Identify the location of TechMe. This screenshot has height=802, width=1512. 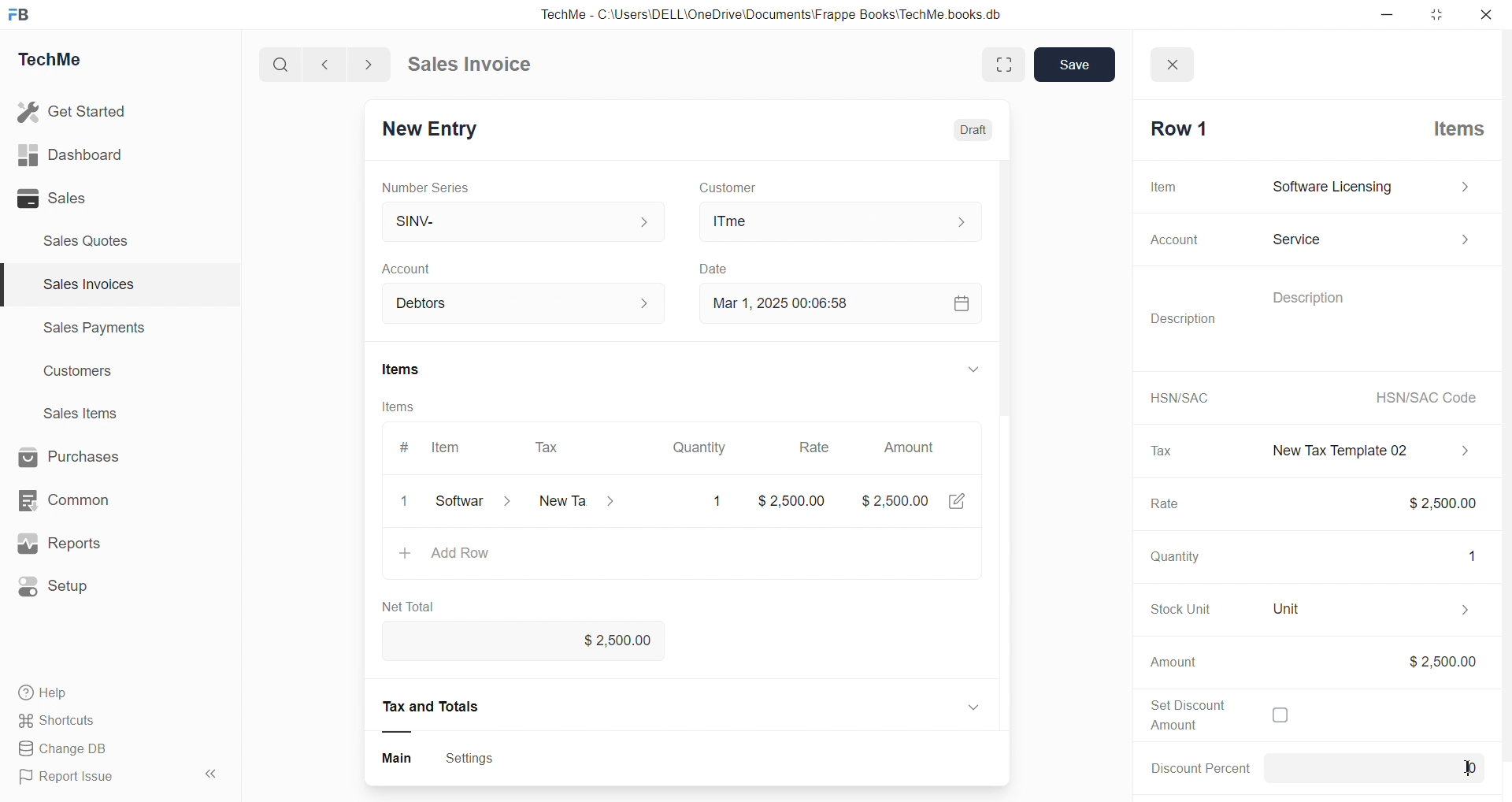
(63, 62).